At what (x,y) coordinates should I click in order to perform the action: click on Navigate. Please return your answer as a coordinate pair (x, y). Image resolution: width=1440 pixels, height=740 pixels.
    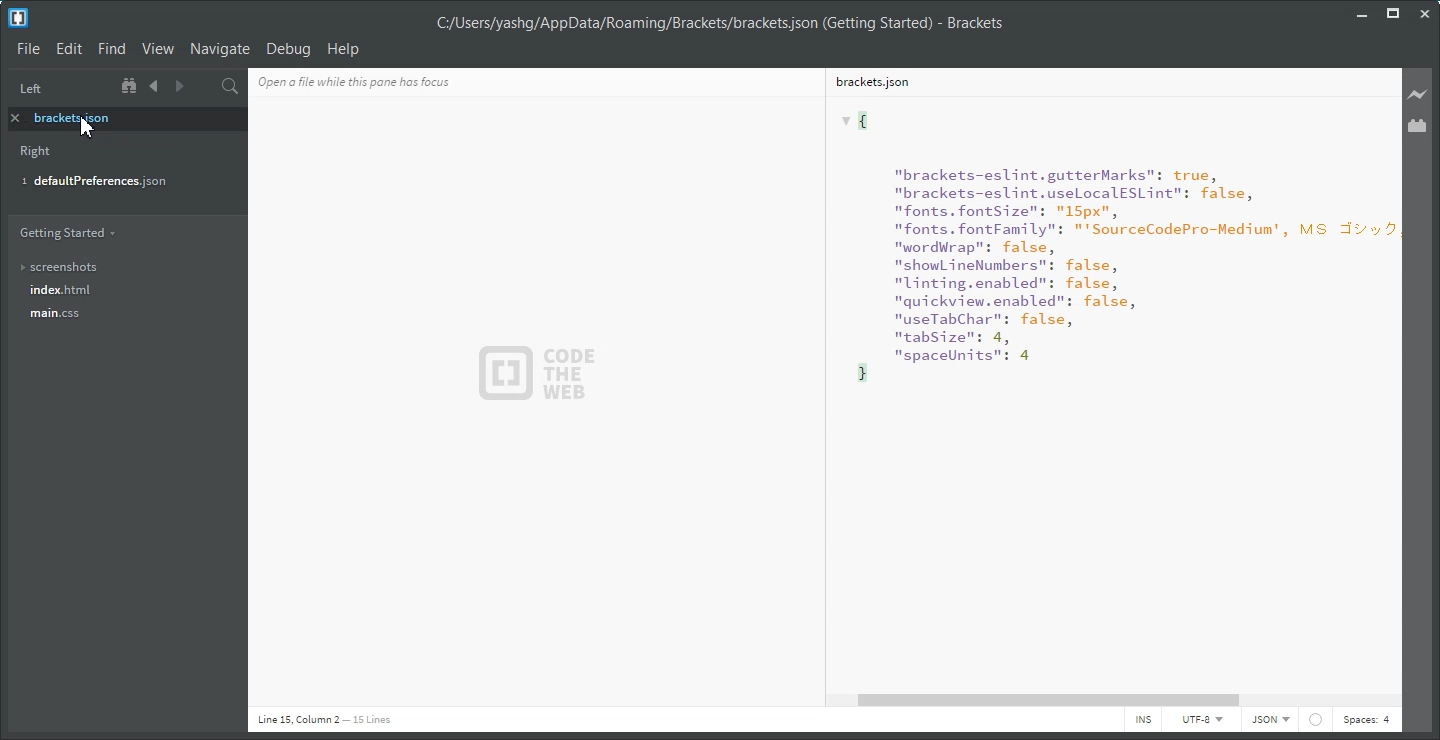
    Looking at the image, I should click on (220, 48).